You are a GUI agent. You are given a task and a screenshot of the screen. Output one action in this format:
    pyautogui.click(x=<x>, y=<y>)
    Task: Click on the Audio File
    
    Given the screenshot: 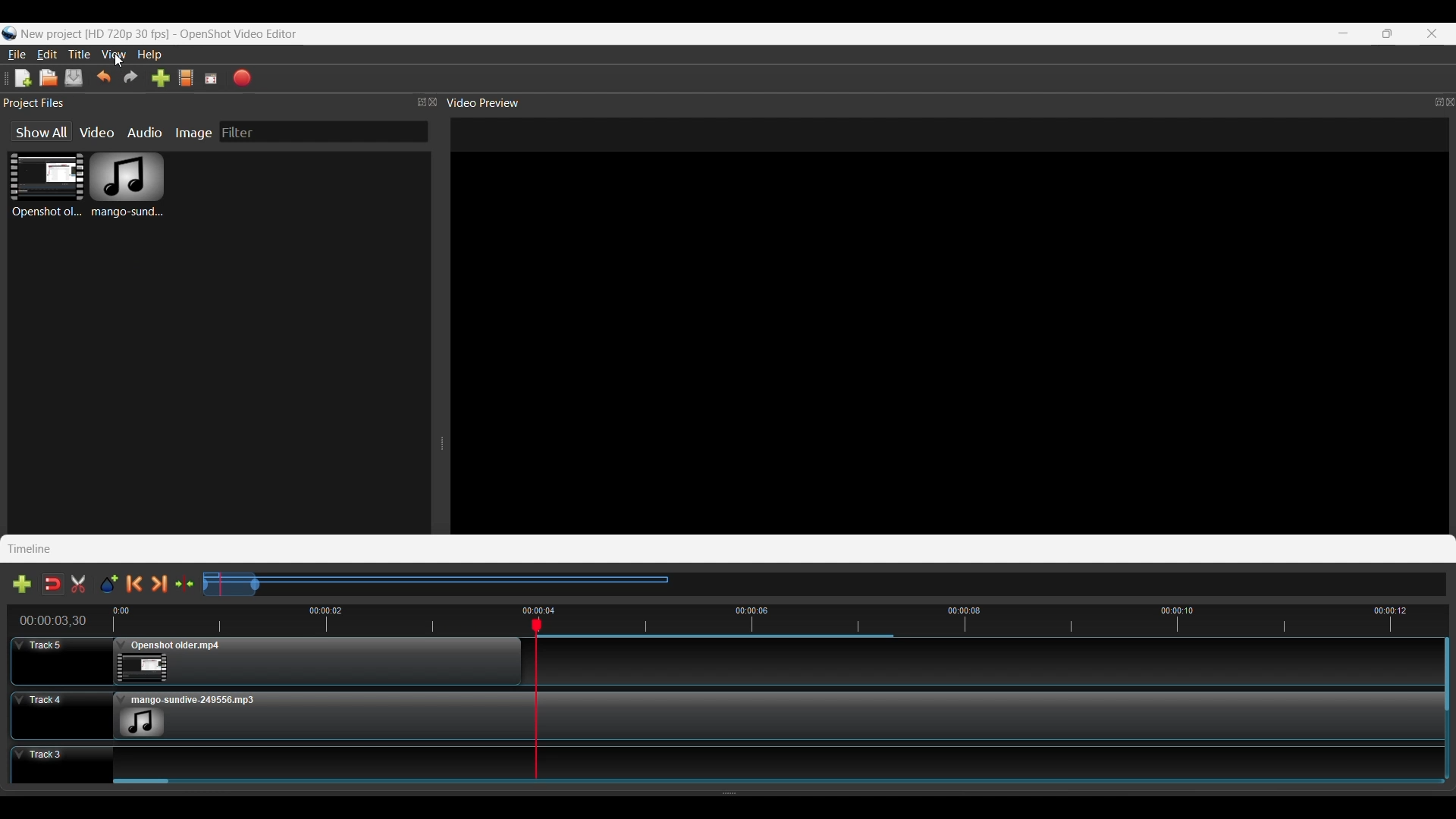 What is the action you would take?
    pyautogui.click(x=127, y=185)
    